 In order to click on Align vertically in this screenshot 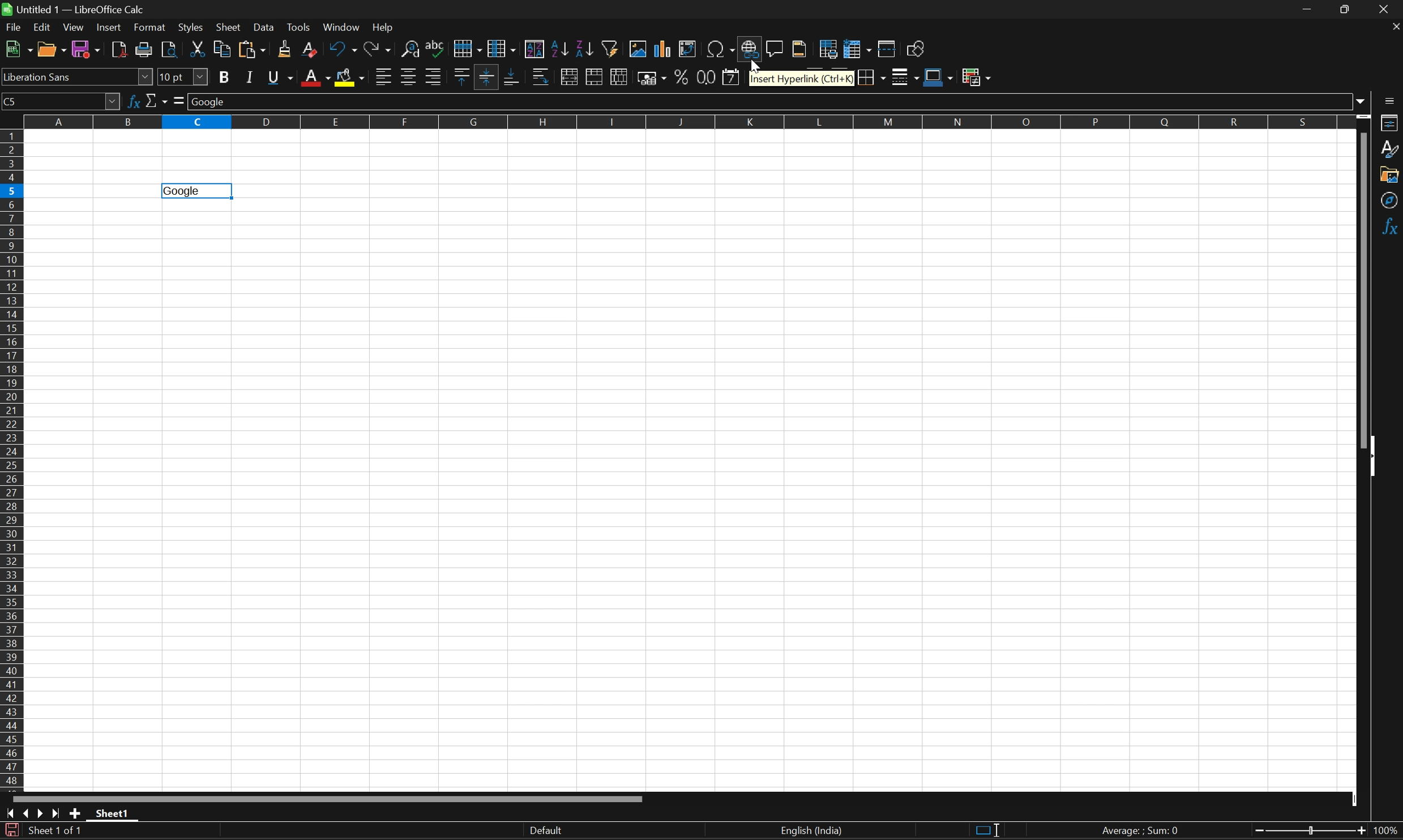, I will do `click(487, 76)`.